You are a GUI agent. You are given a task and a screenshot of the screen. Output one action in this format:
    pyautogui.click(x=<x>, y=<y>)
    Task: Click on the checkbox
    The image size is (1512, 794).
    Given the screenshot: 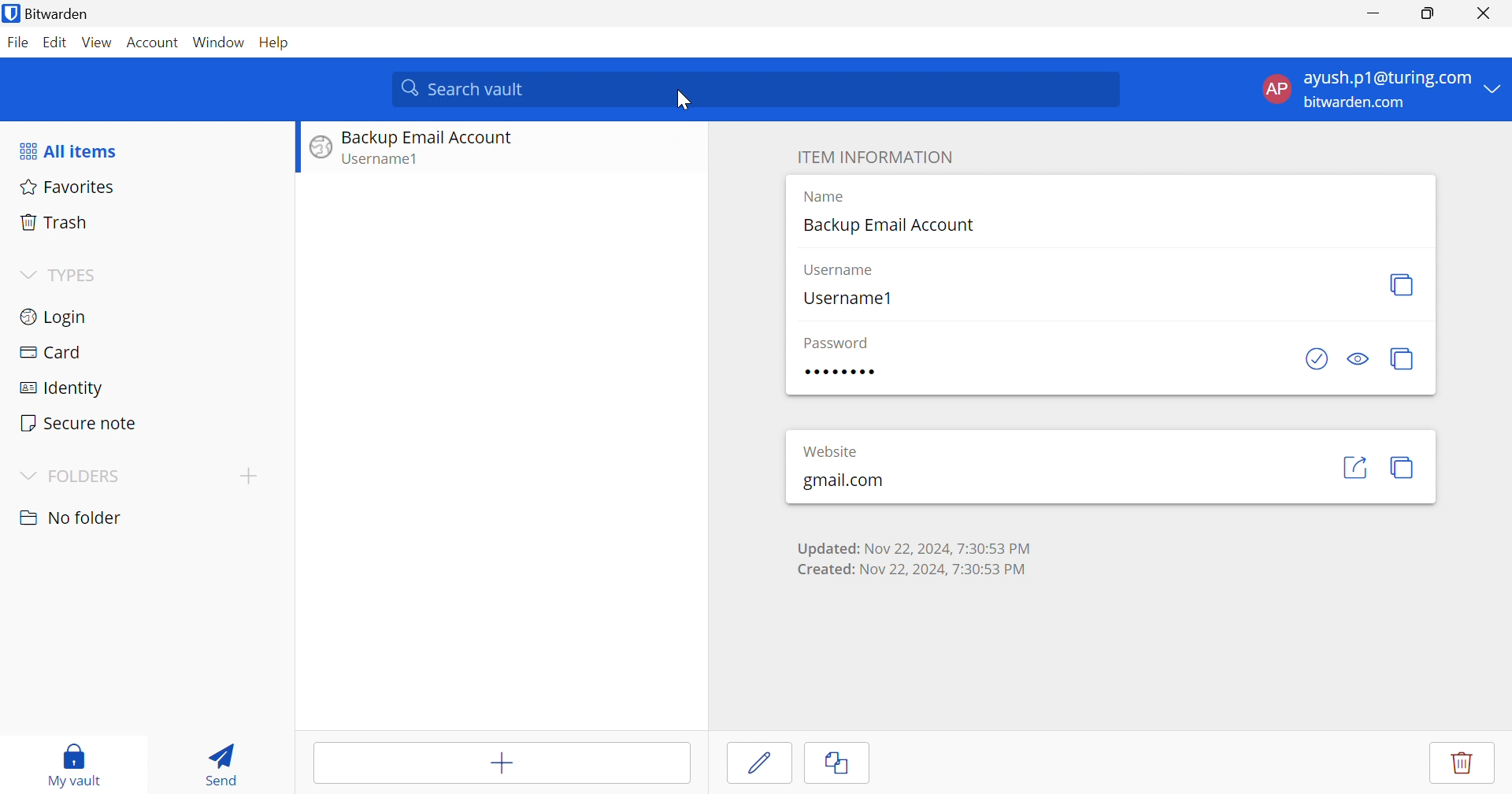 What is the action you would take?
    pyautogui.click(x=1318, y=361)
    